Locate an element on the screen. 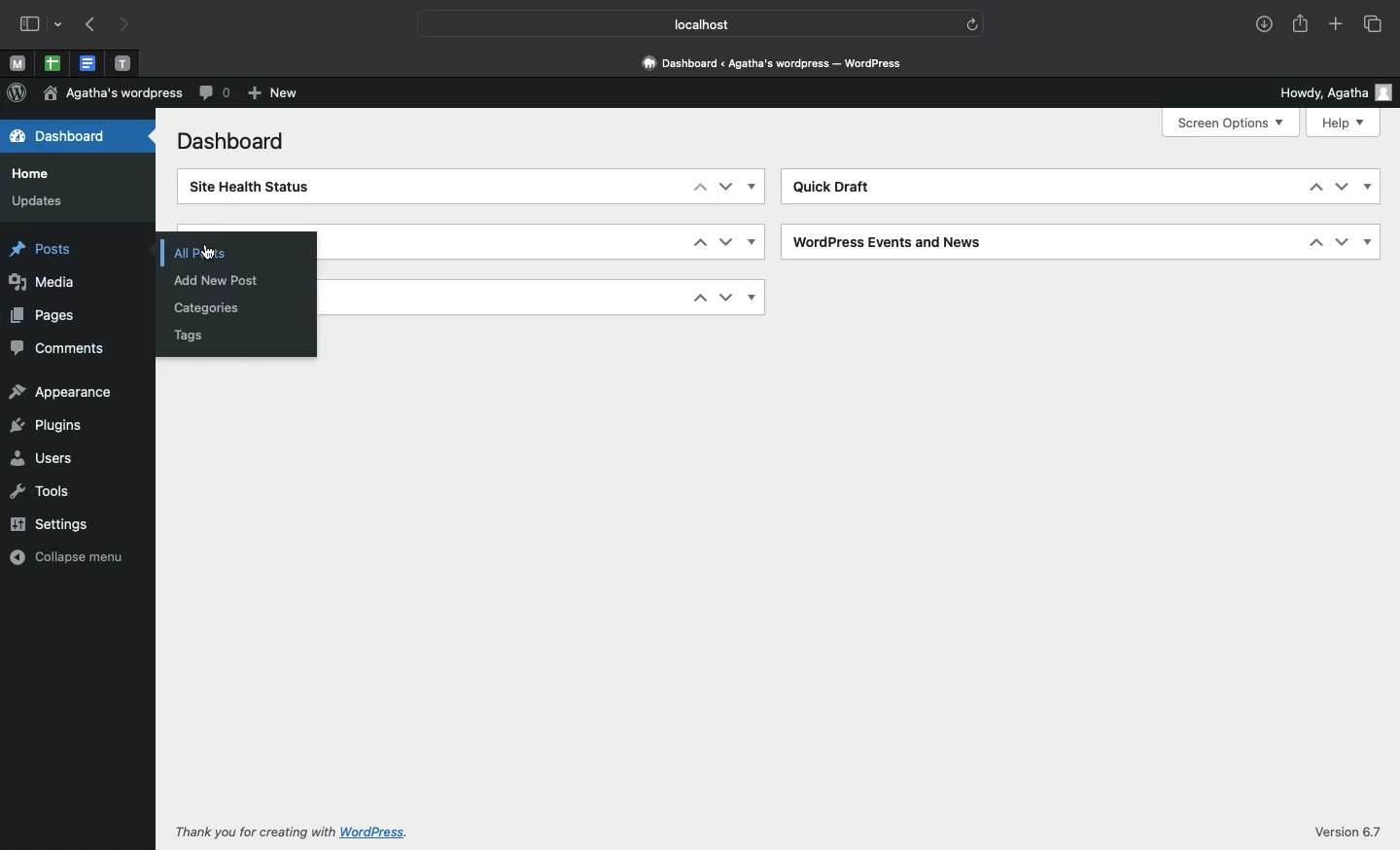 Image resolution: width=1400 pixels, height=850 pixels. Tools is located at coordinates (40, 489).